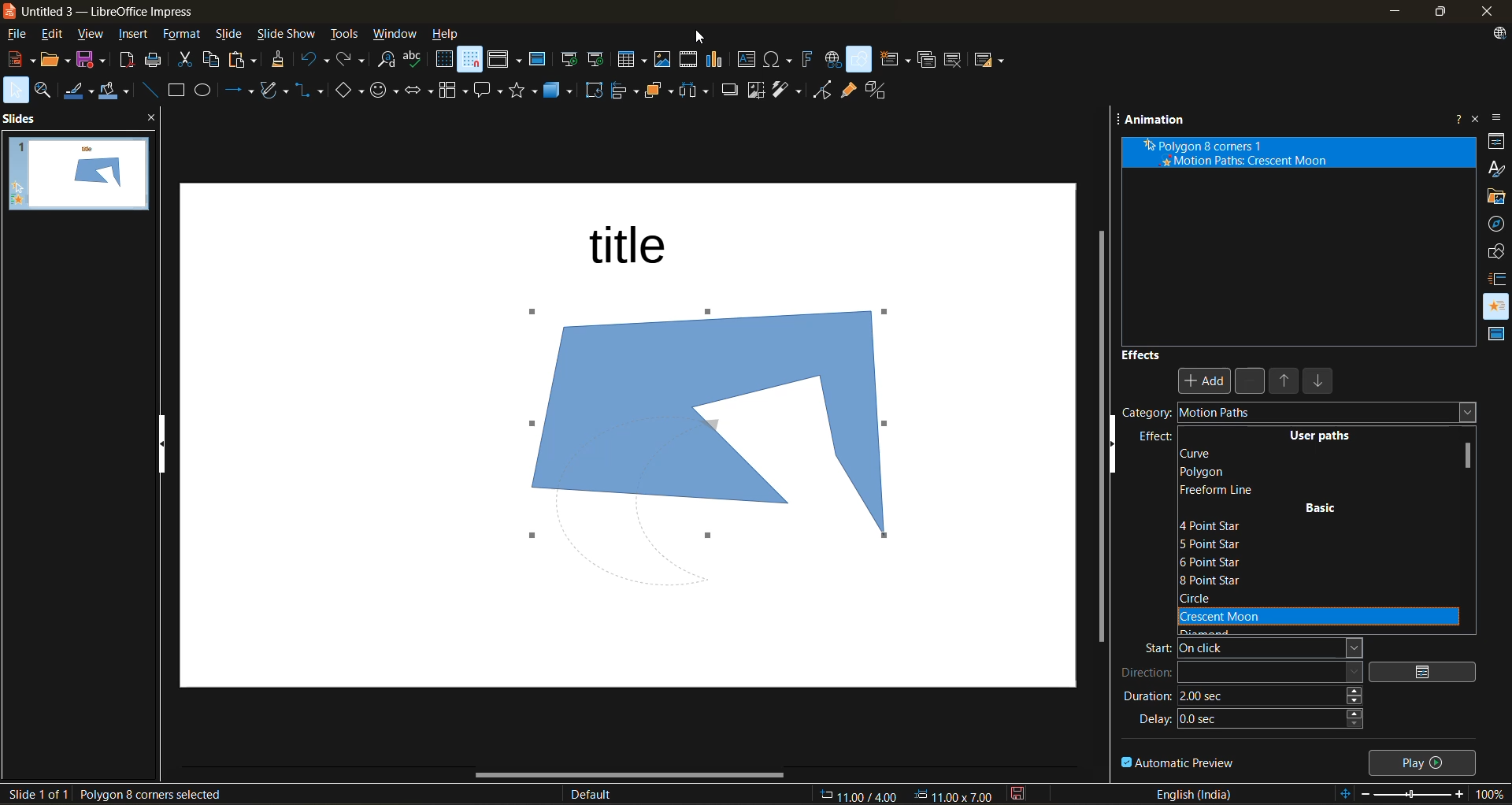 The image size is (1512, 805). I want to click on window, so click(395, 35).